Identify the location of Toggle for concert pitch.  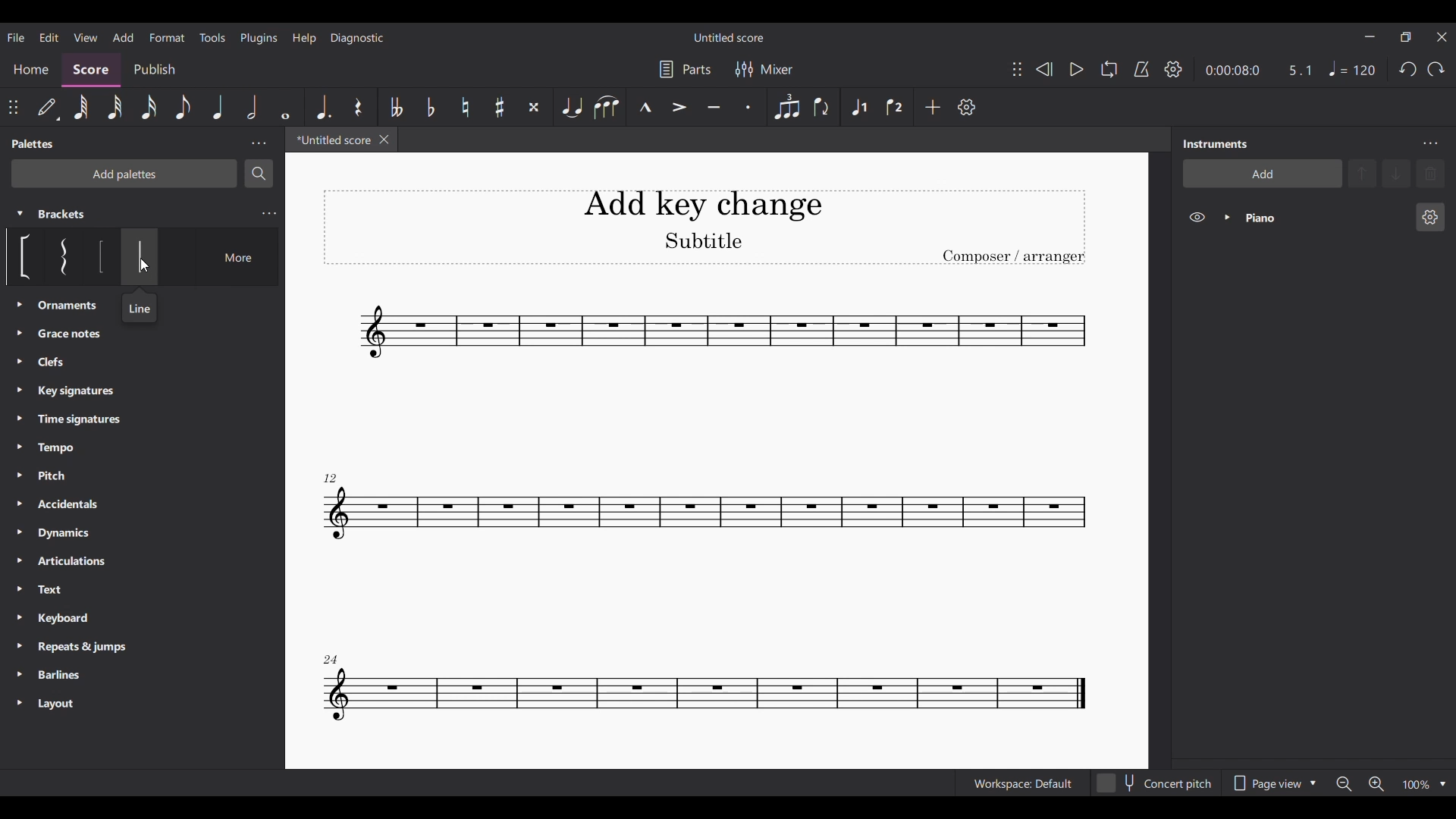
(1154, 783).